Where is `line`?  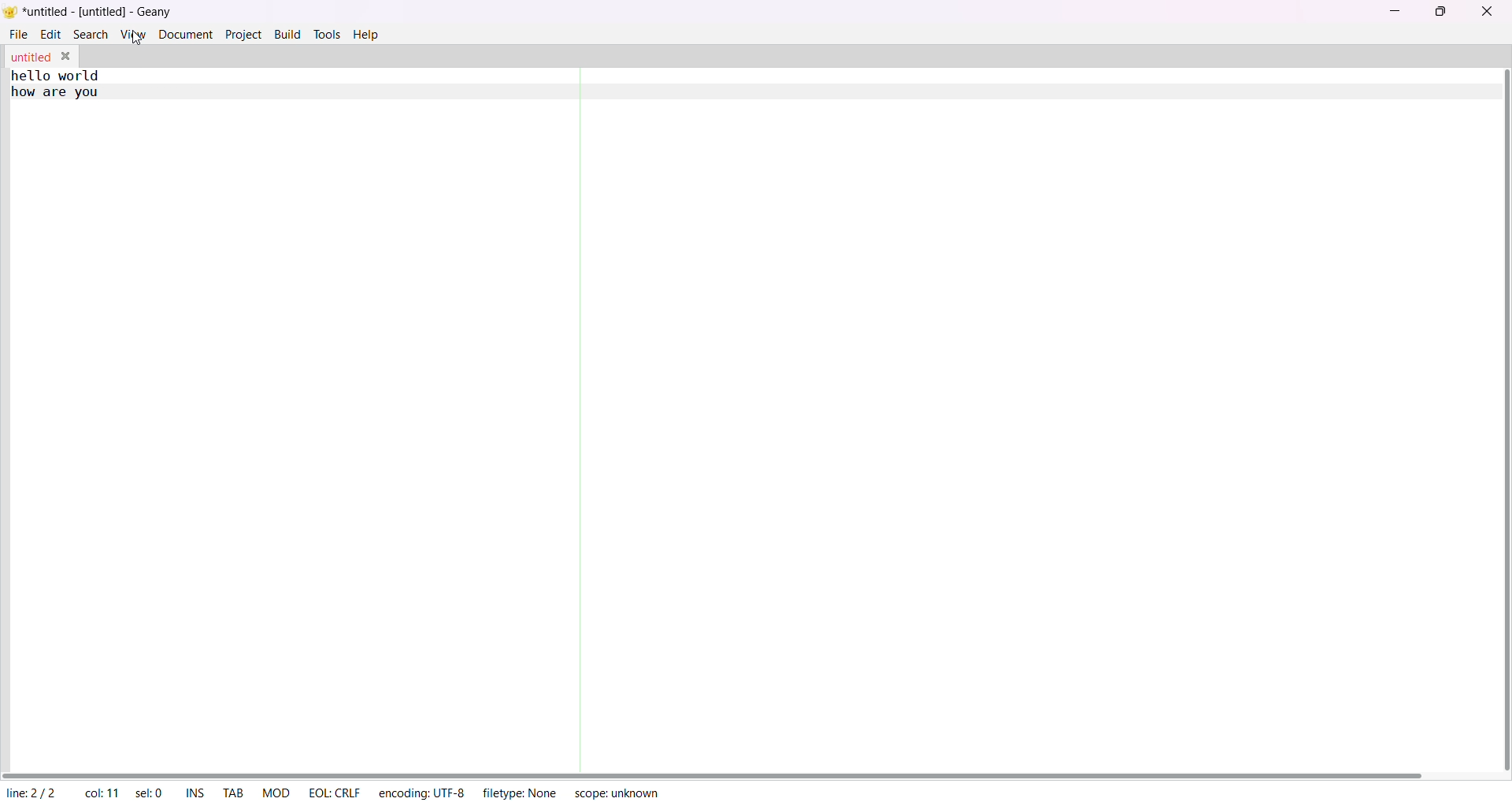 line is located at coordinates (31, 790).